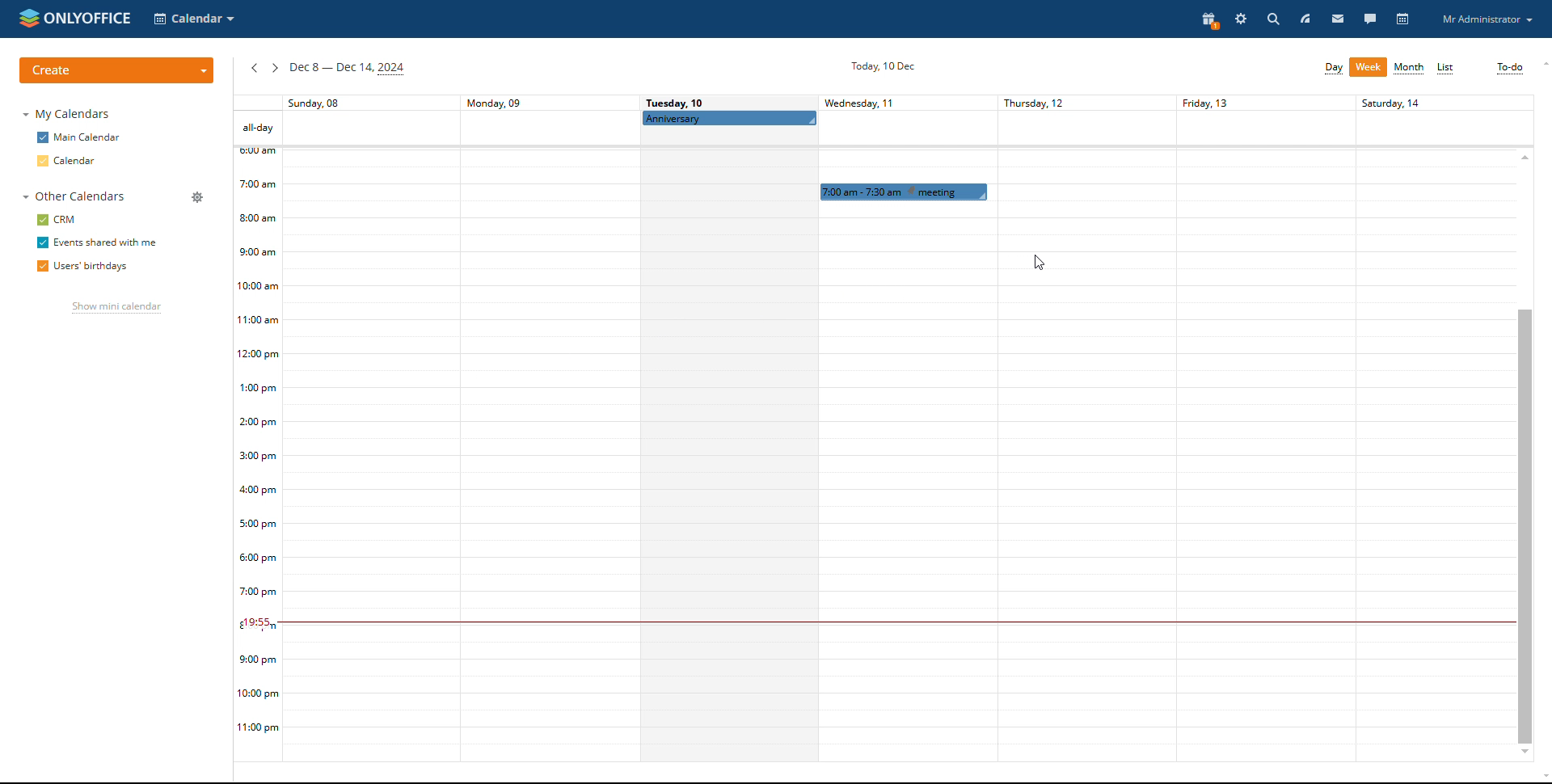 The image size is (1552, 784). What do you see at coordinates (67, 220) in the screenshot?
I see `crm` at bounding box center [67, 220].